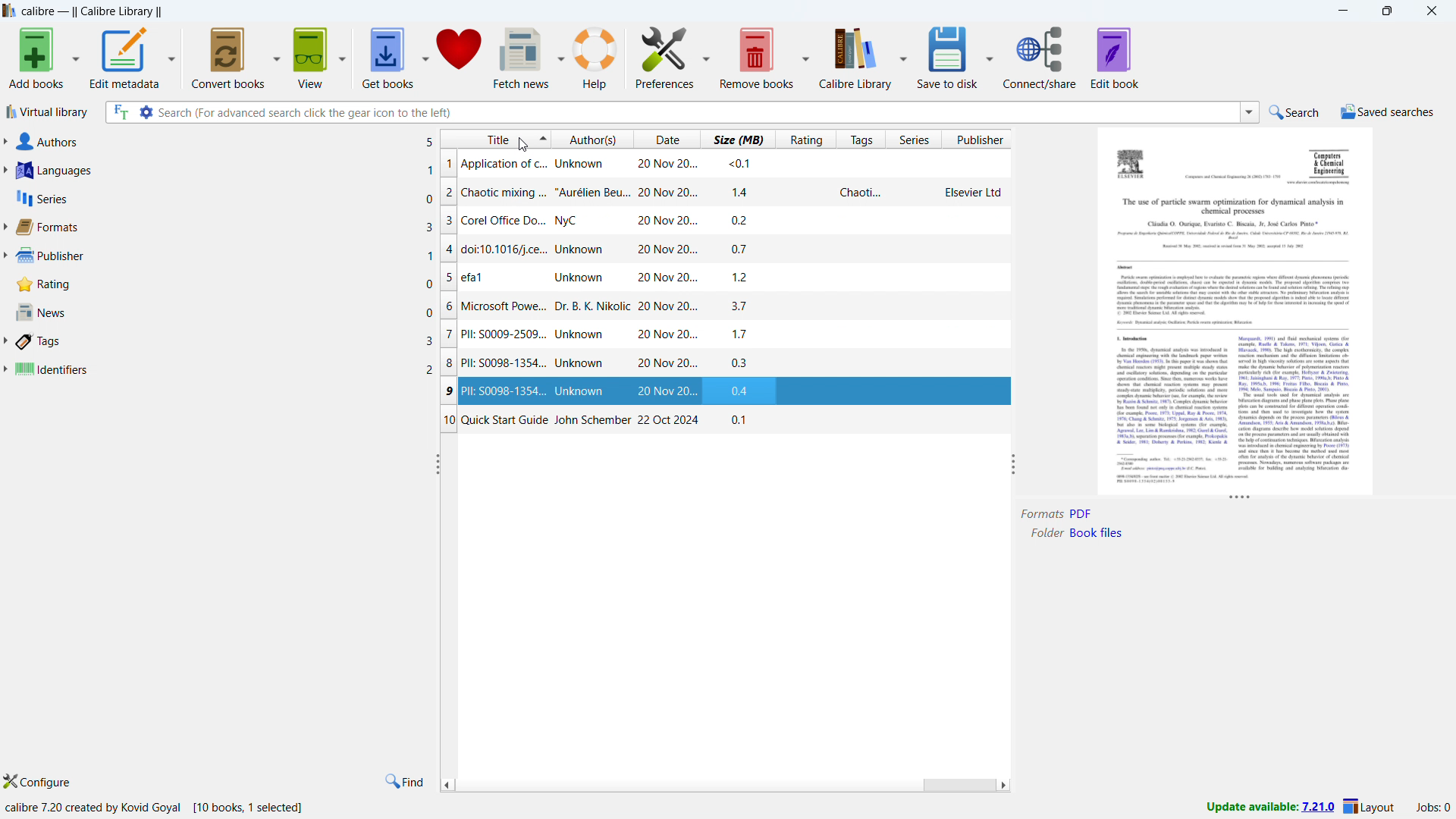 The image size is (1456, 819). Describe the element at coordinates (447, 421) in the screenshot. I see `10` at that location.